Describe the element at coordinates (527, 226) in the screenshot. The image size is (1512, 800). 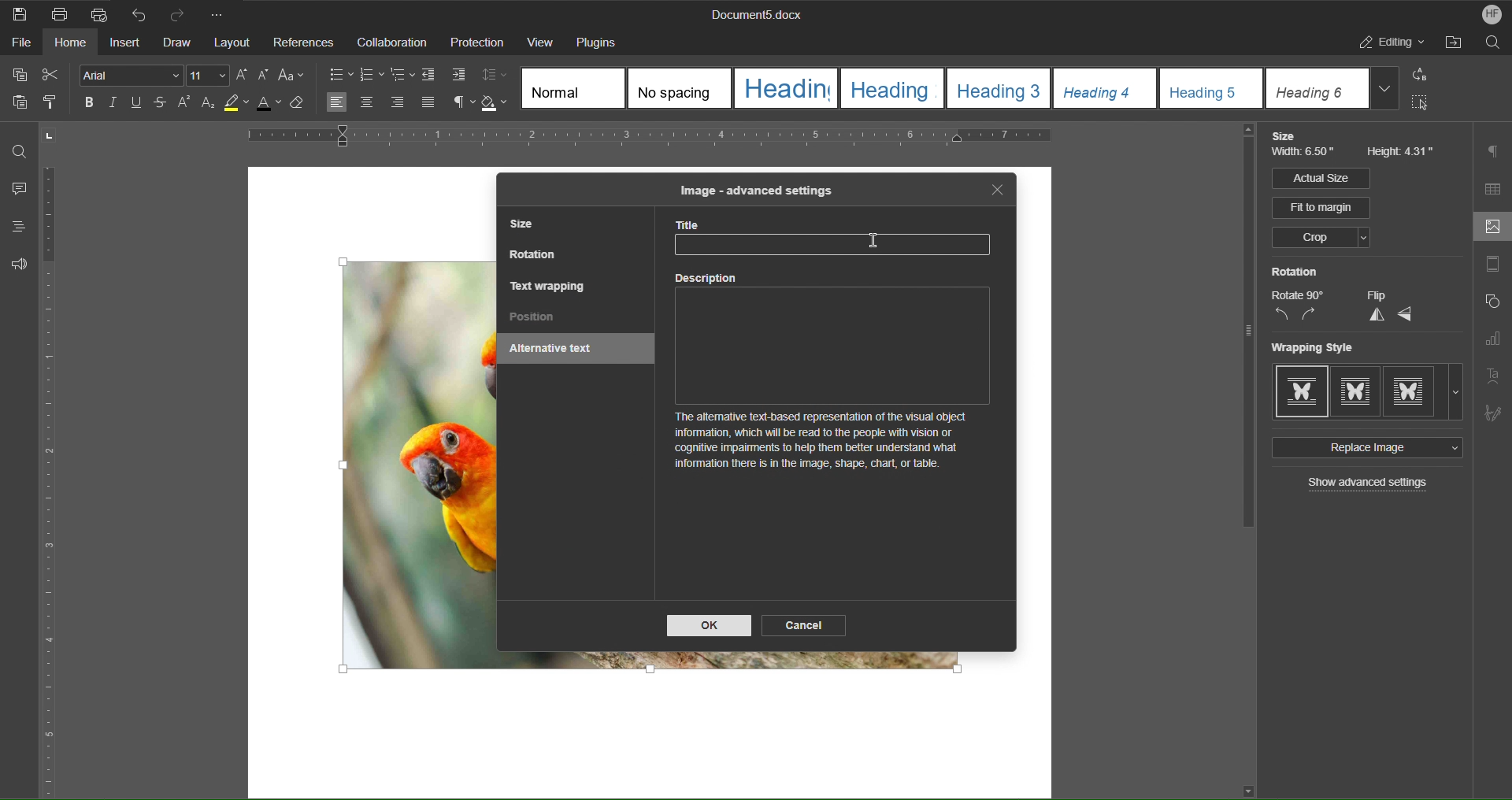
I see `Size` at that location.